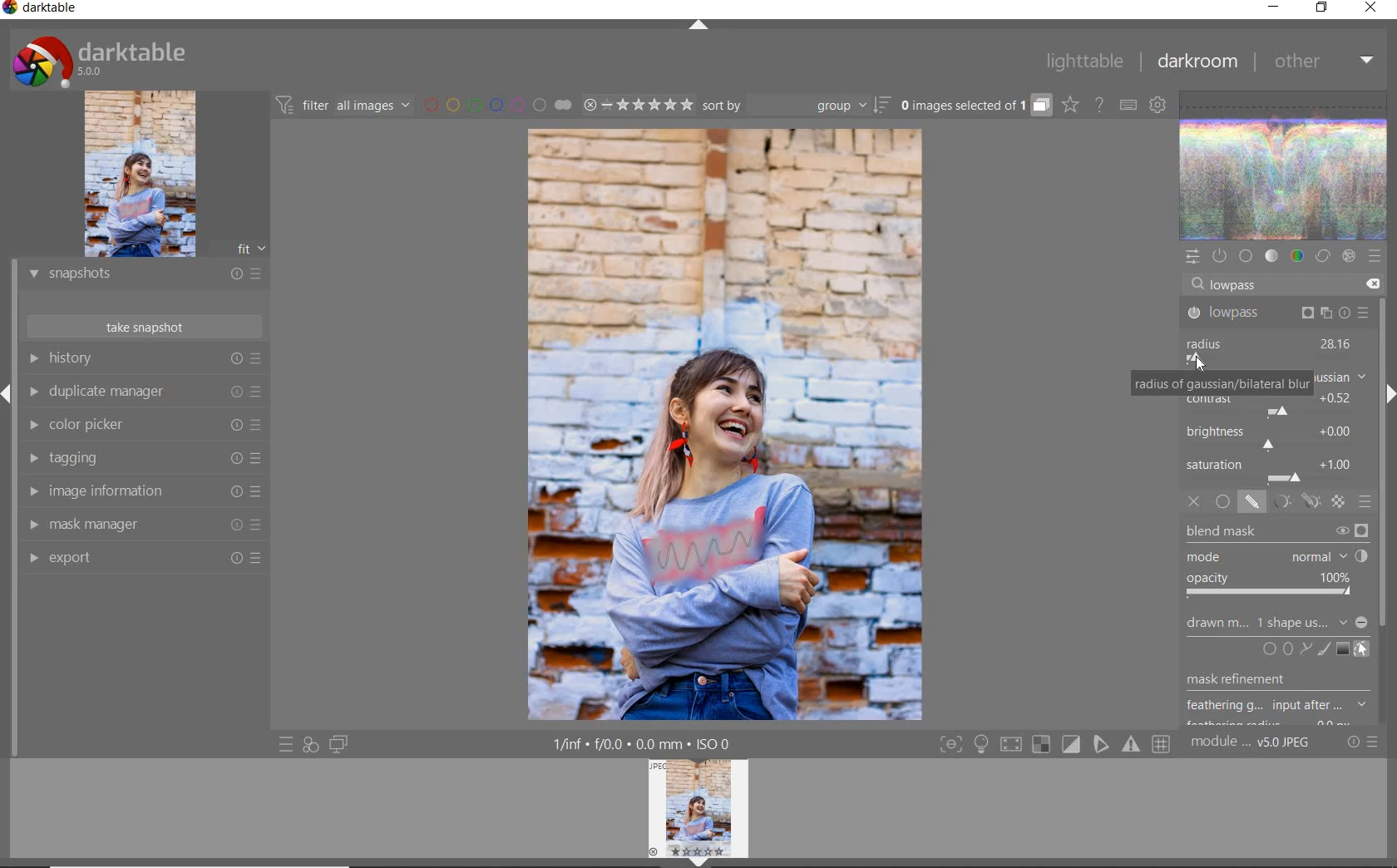 The image size is (1397, 868). I want to click on take snapshots, so click(143, 328).